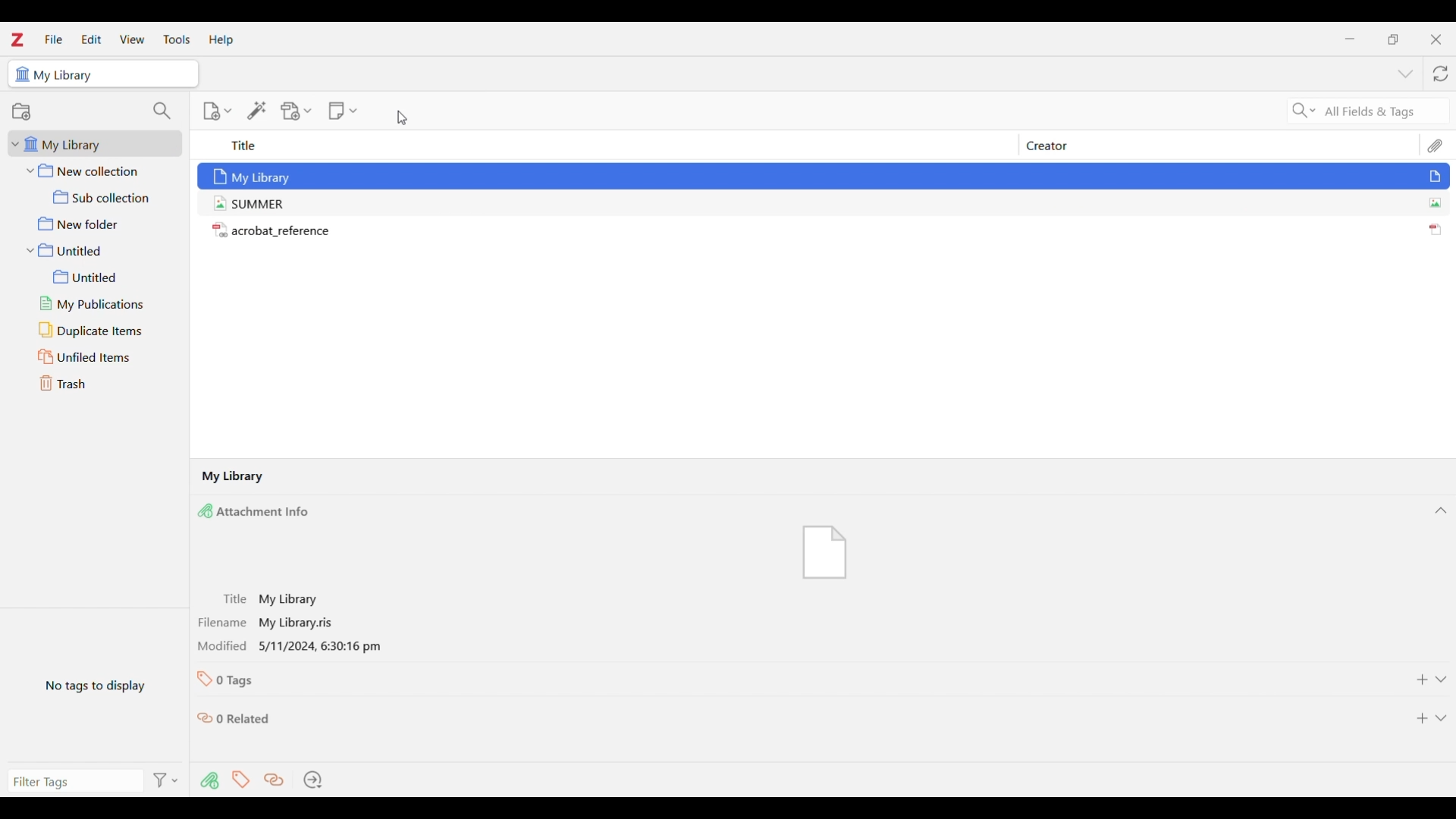 This screenshot has width=1456, height=819. What do you see at coordinates (96, 383) in the screenshot?
I see `Trash folder` at bounding box center [96, 383].